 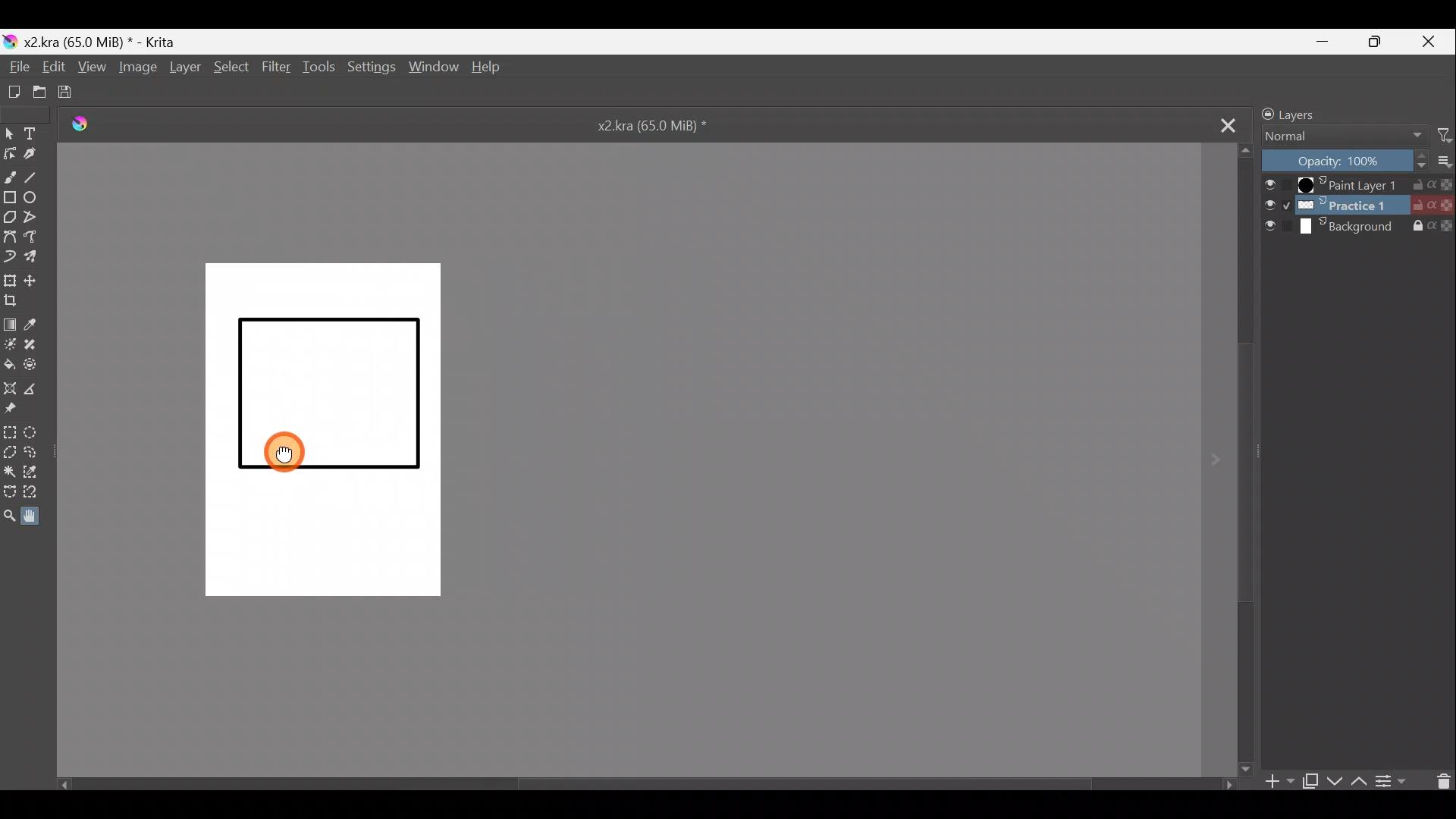 I want to click on Edit, so click(x=49, y=65).